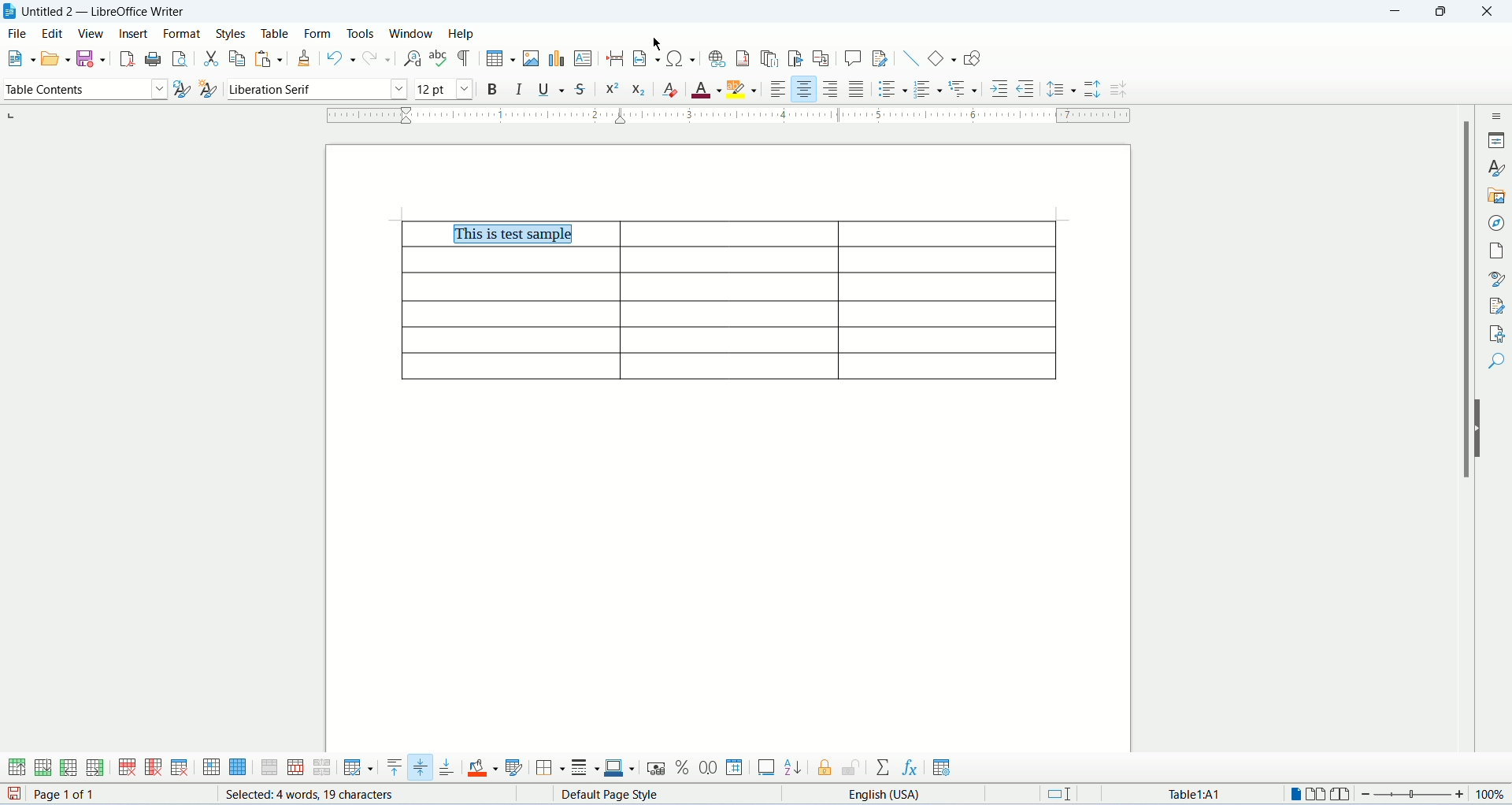  I want to click on word count, so click(309, 795).